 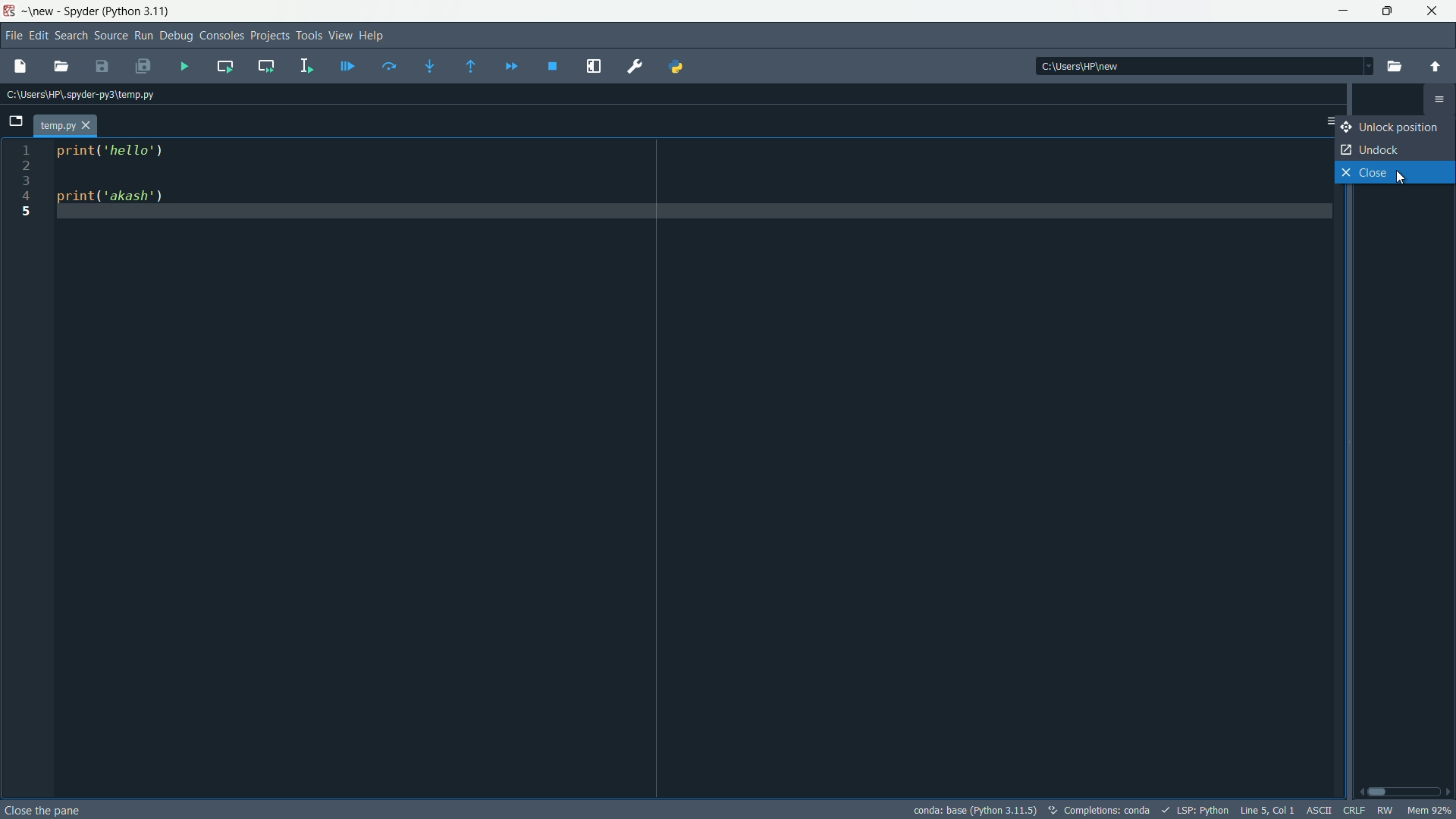 I want to click on edit menu, so click(x=38, y=34).